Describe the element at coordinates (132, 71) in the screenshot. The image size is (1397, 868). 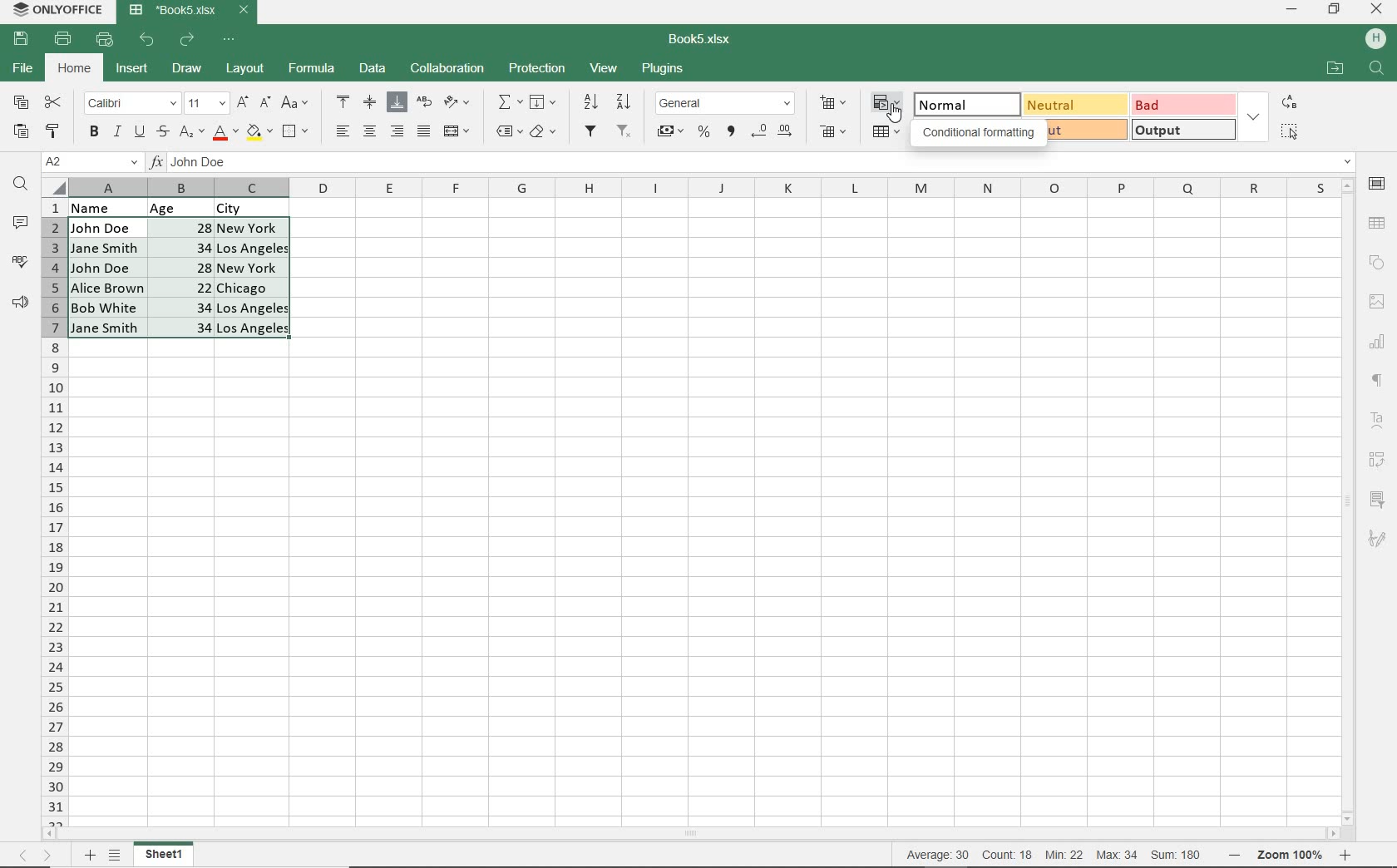
I see `INSERT` at that location.